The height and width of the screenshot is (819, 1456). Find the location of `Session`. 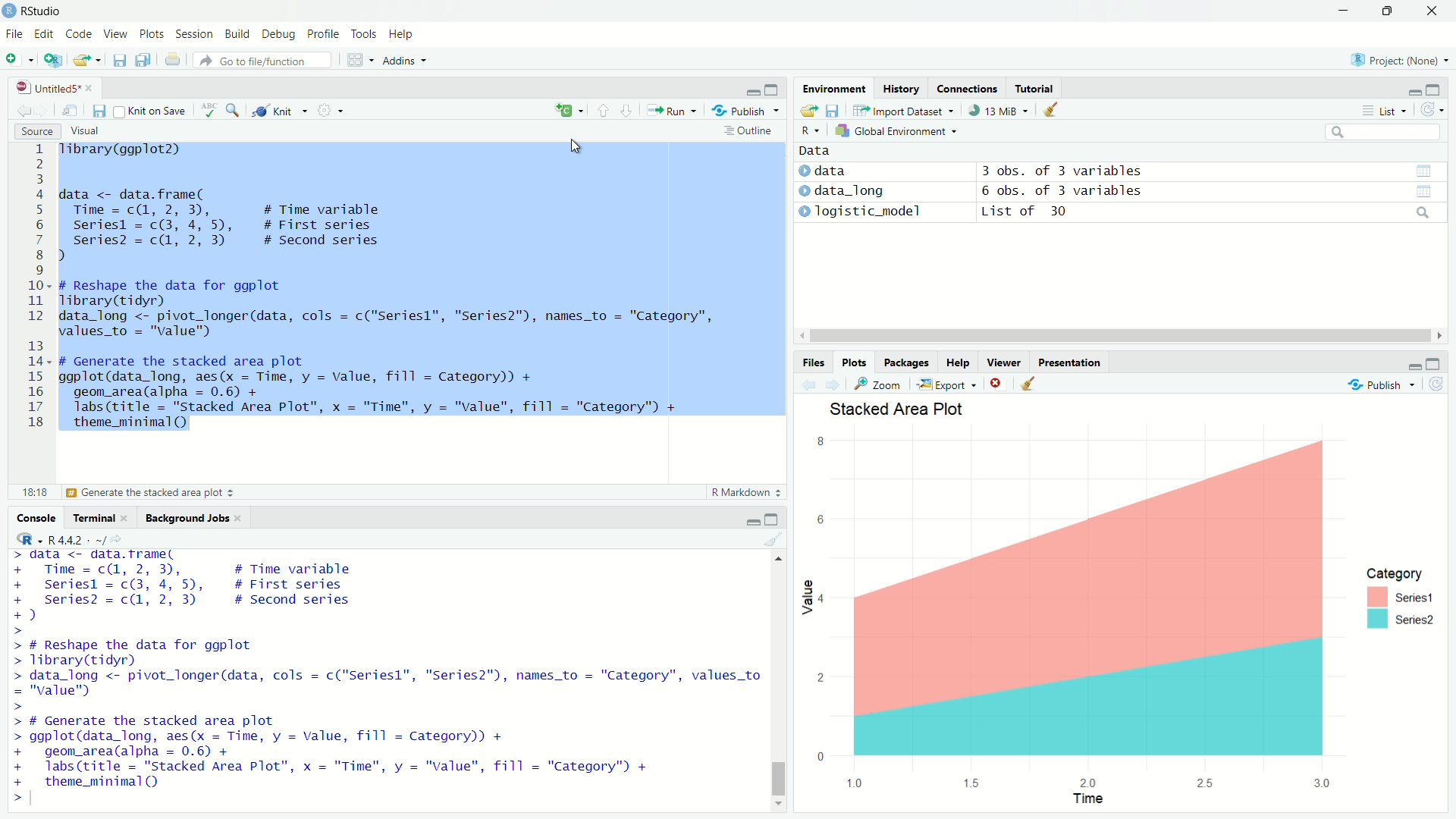

Session is located at coordinates (193, 34).